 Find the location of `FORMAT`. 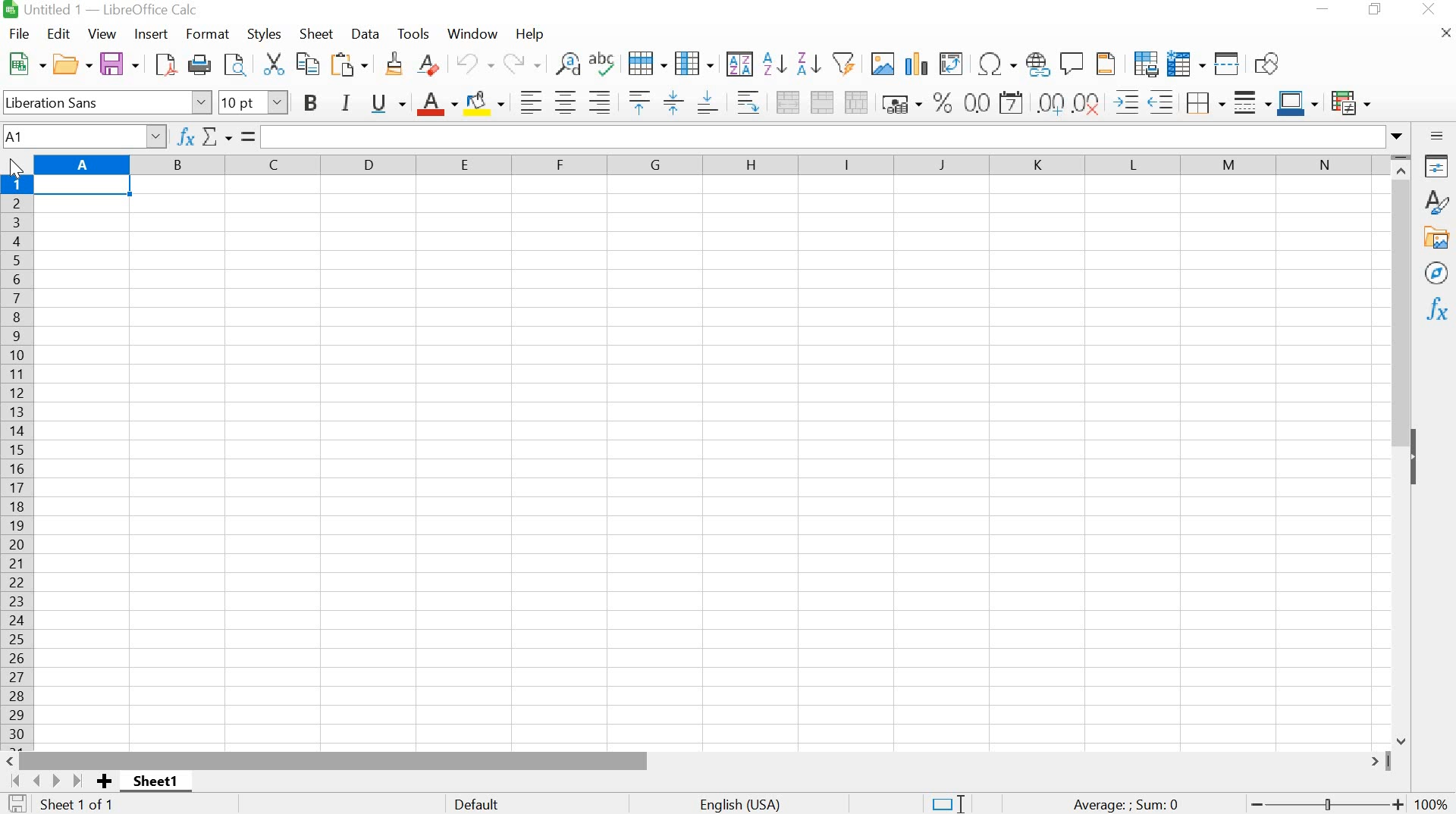

FORMAT is located at coordinates (206, 33).